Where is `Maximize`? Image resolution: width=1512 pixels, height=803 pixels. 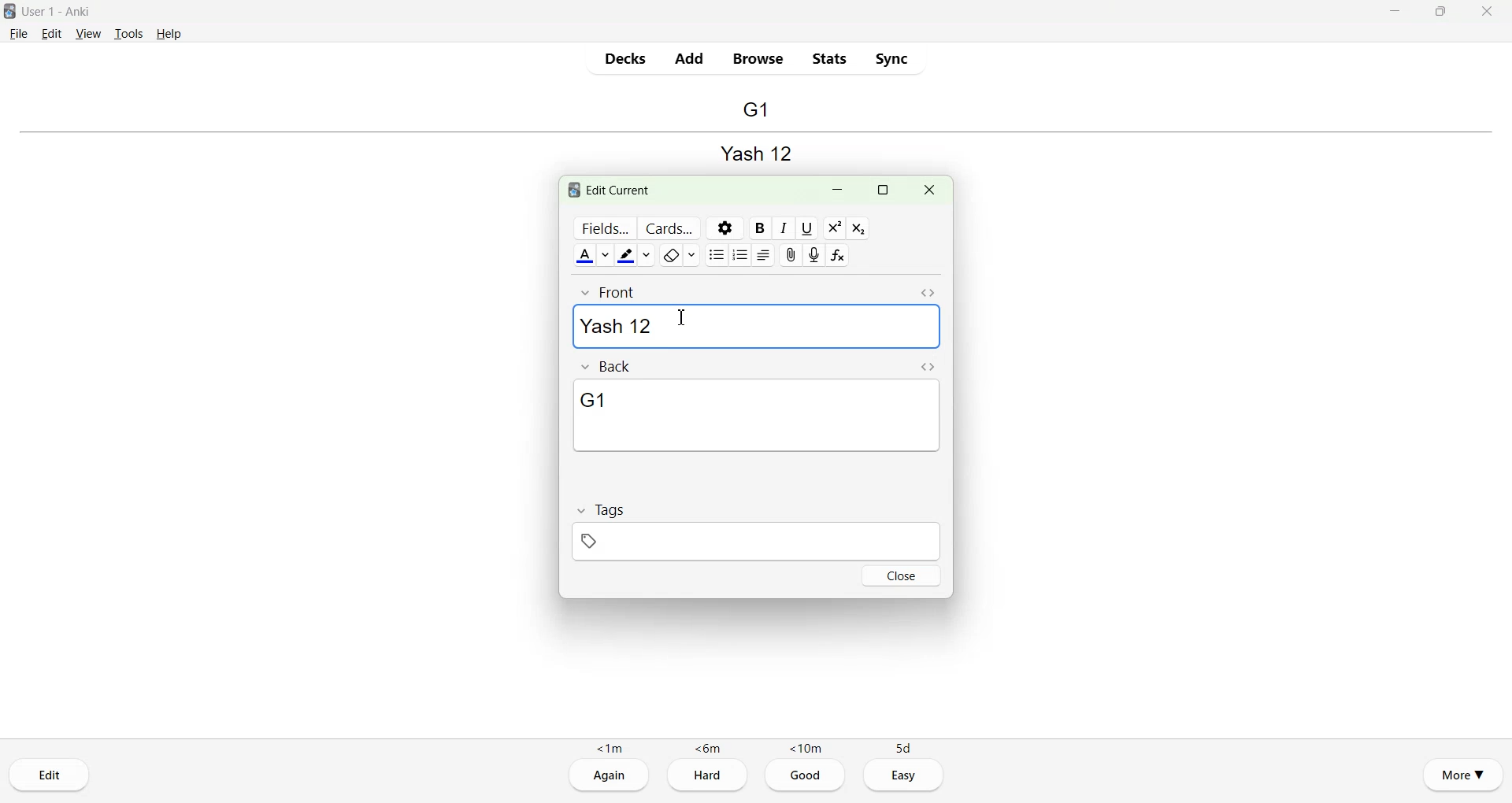 Maximize is located at coordinates (882, 191).